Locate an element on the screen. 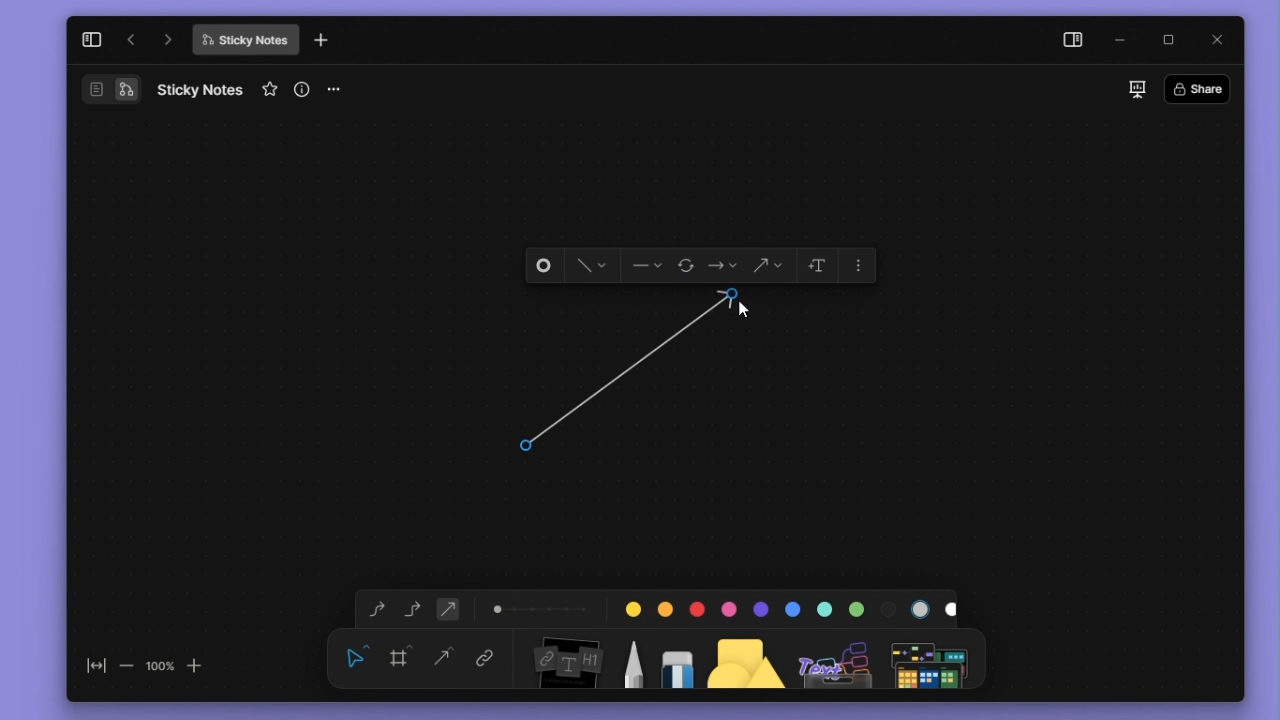 Image resolution: width=1280 pixels, height=720 pixels. more is located at coordinates (933, 658).